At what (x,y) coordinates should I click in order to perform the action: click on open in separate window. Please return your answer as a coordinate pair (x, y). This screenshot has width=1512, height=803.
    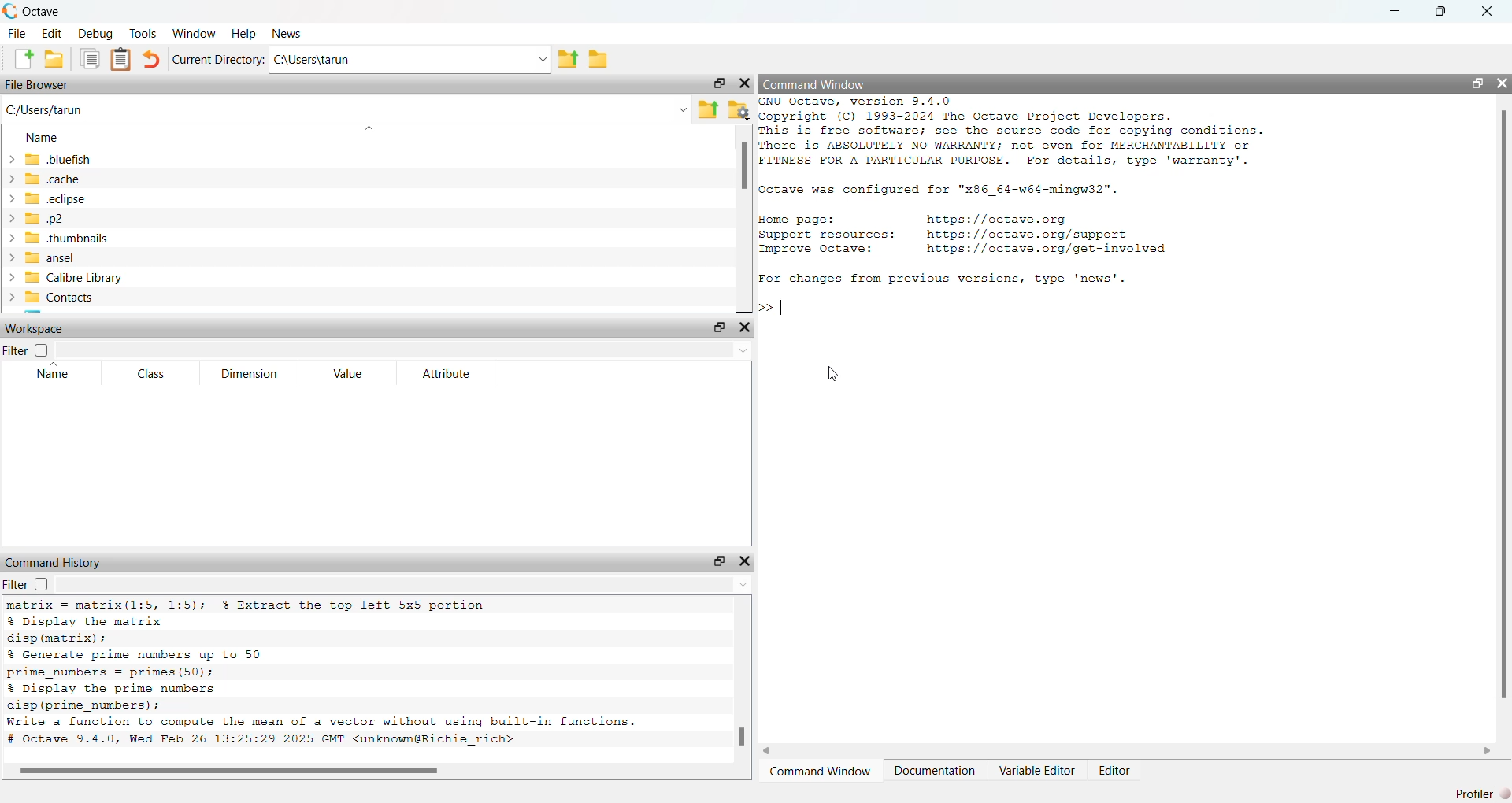
    Looking at the image, I should click on (1477, 83).